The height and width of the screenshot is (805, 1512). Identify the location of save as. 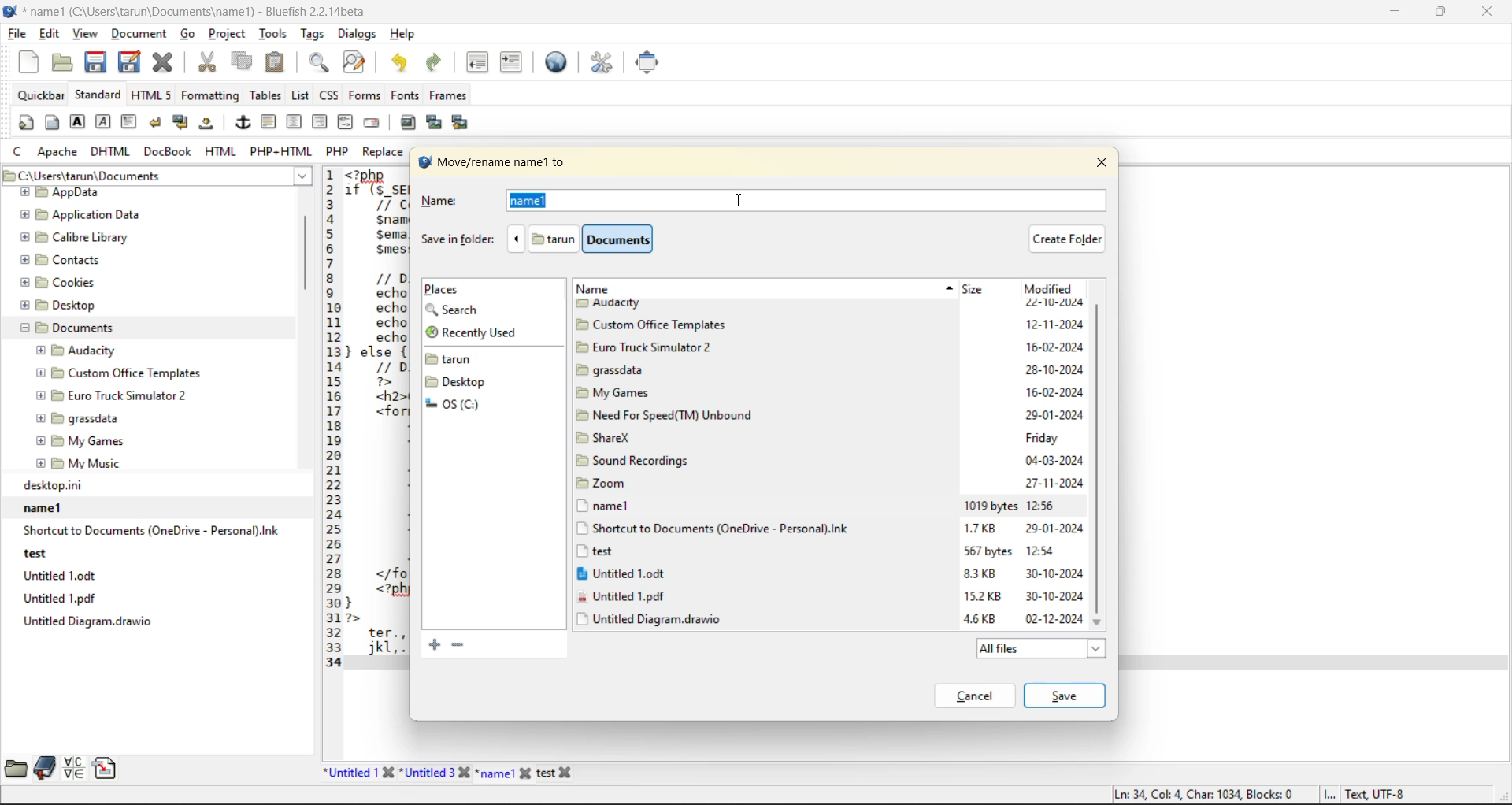
(132, 61).